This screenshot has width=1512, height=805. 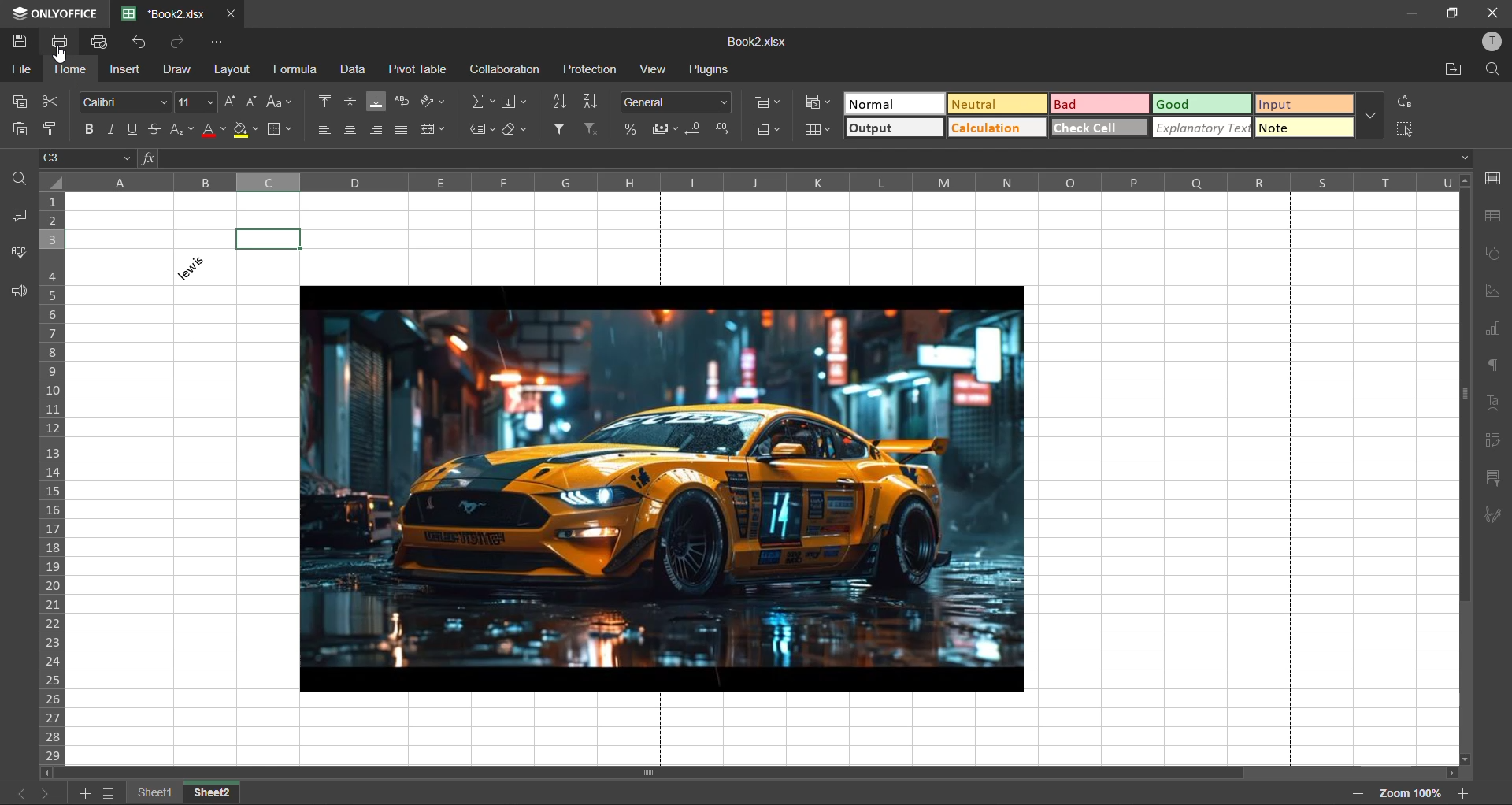 I want to click on find, so click(x=23, y=177).